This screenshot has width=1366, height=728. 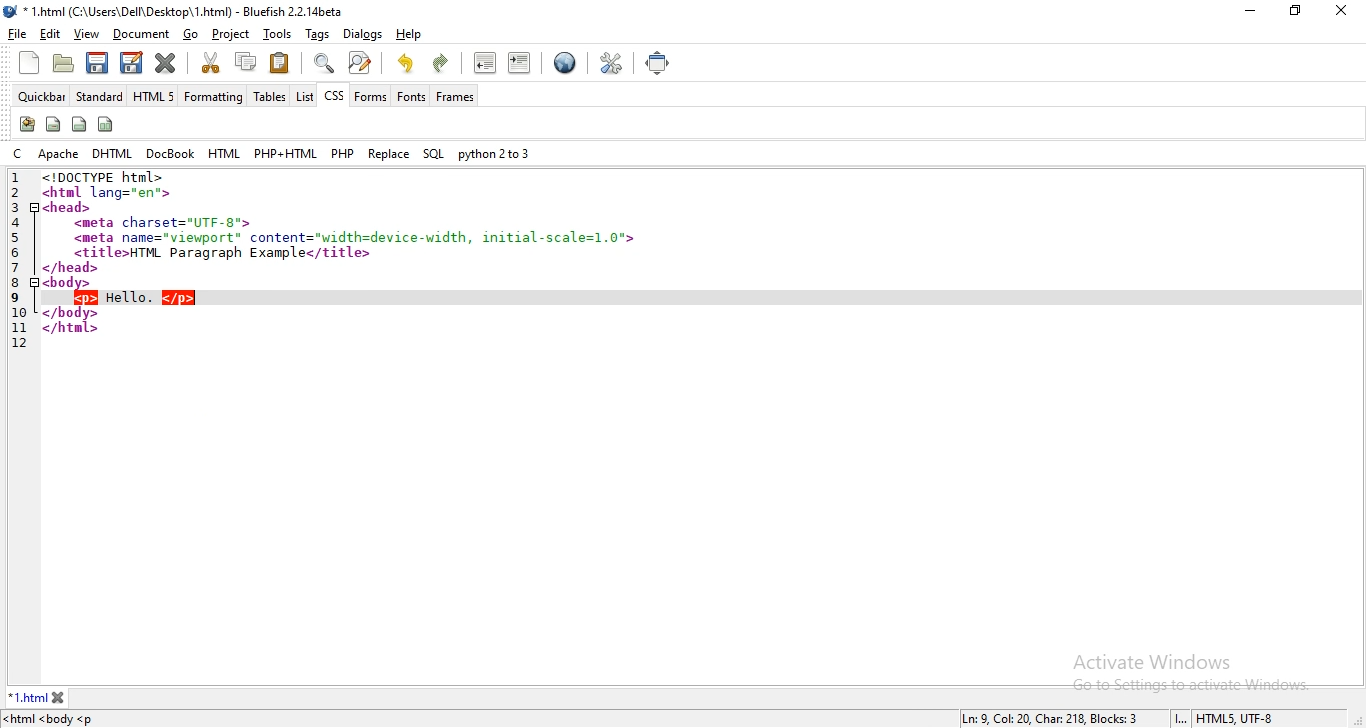 What do you see at coordinates (153, 94) in the screenshot?
I see `HTML 5` at bounding box center [153, 94].